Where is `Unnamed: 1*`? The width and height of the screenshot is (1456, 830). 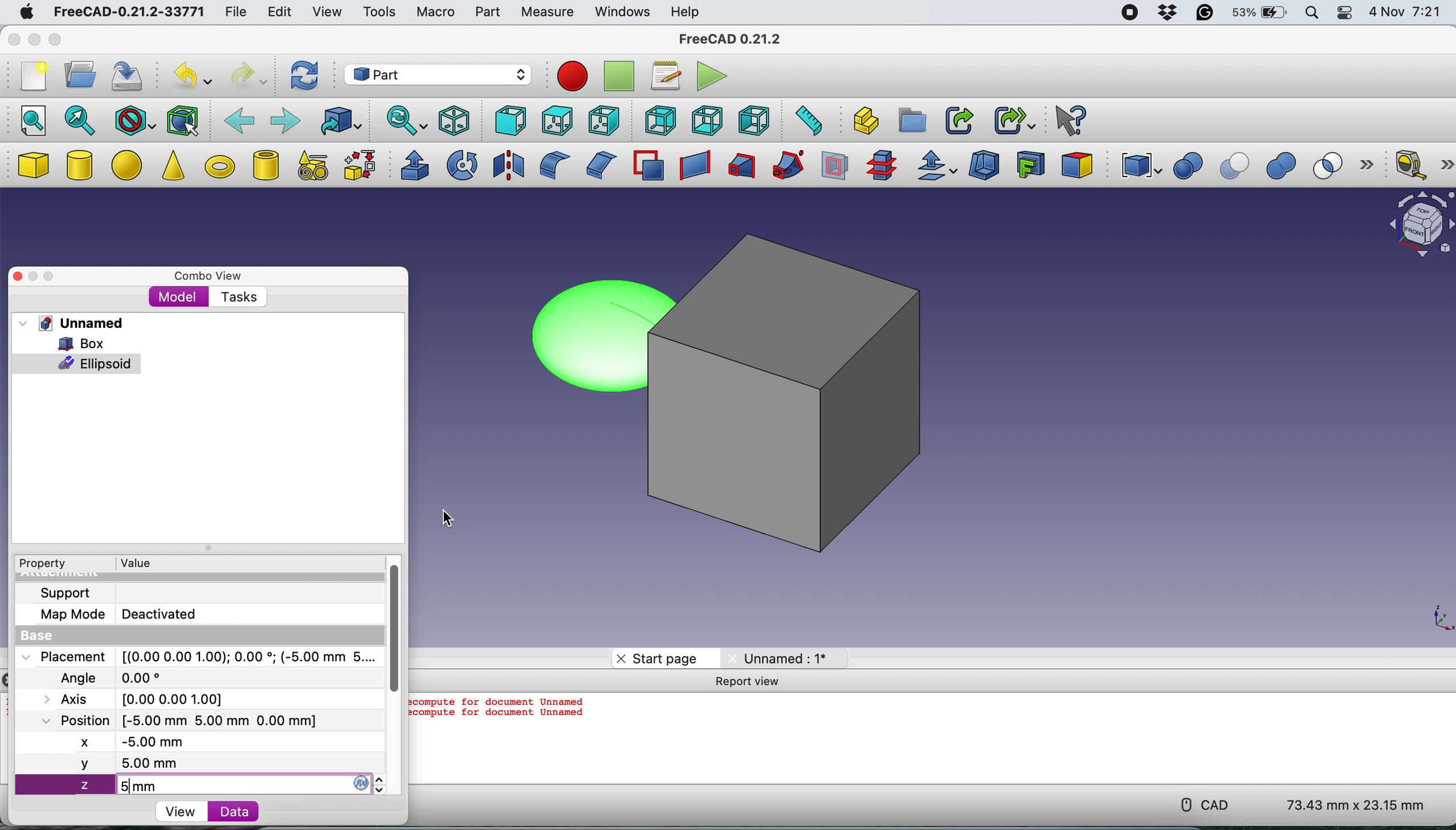 Unnamed: 1* is located at coordinates (779, 658).